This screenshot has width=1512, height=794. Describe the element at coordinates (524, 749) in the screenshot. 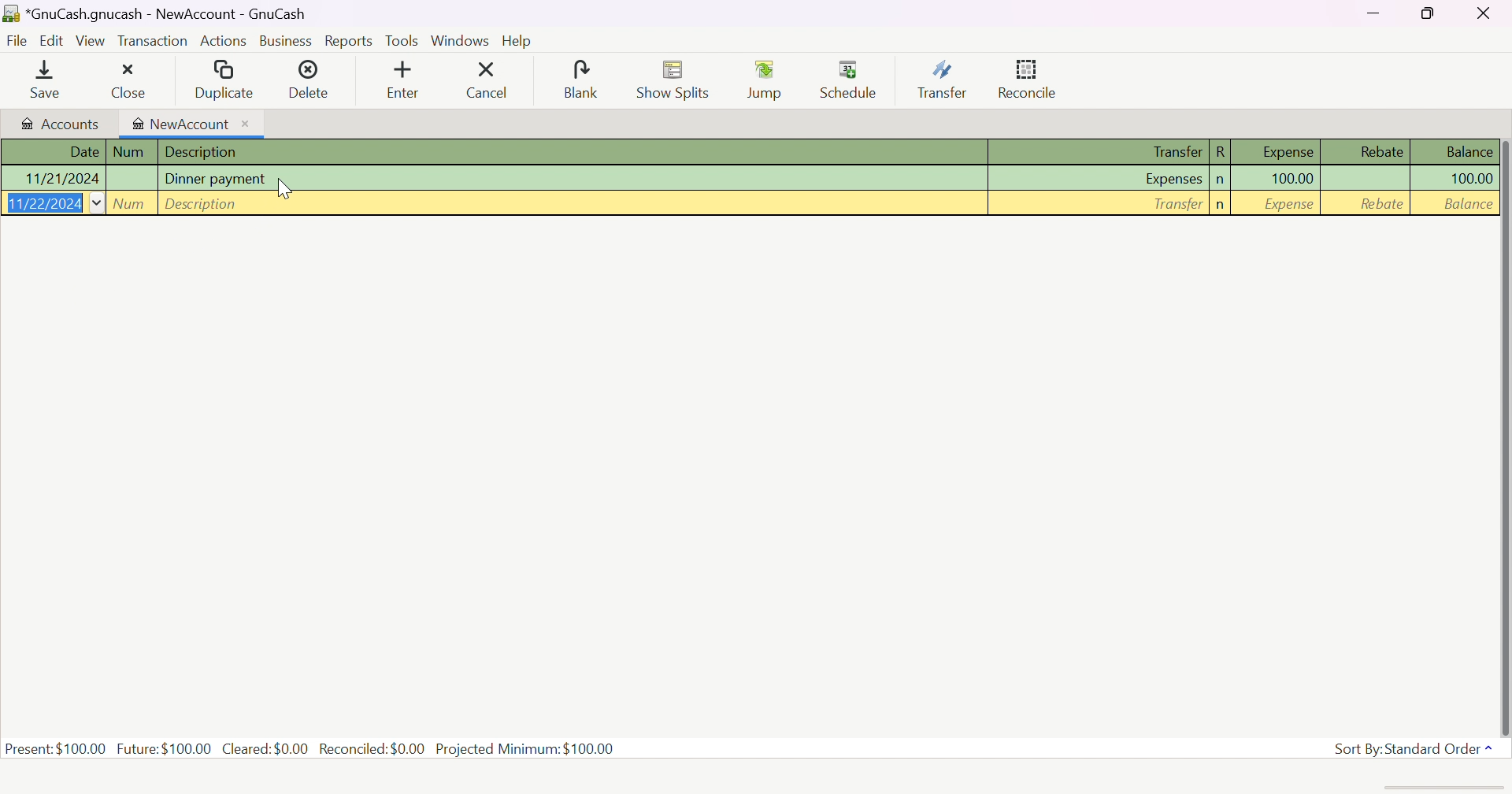

I see `Projected Minimum: $100.00` at that location.